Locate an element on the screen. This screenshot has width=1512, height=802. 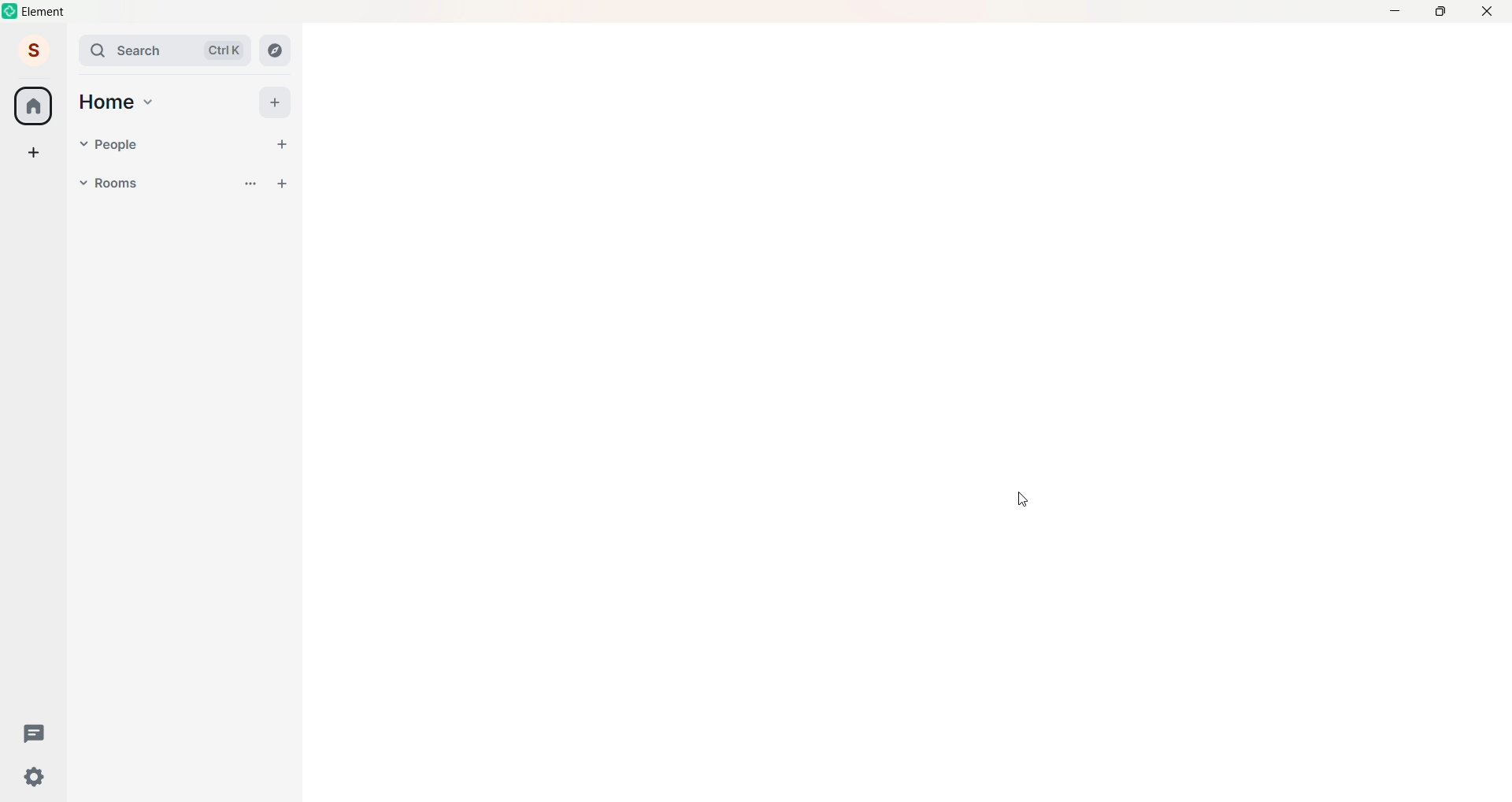
Drop Down is located at coordinates (81, 144).